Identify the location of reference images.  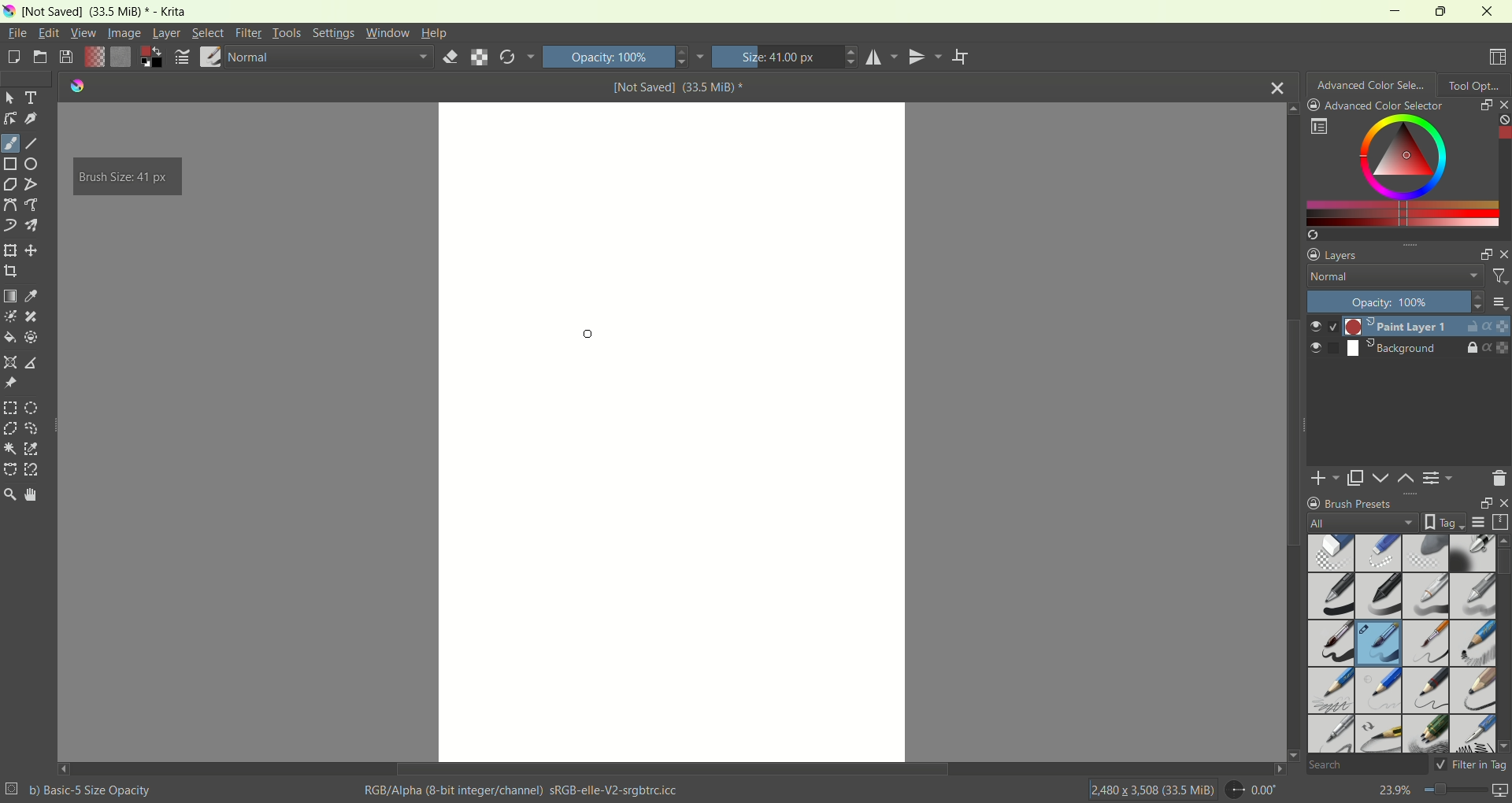
(9, 383).